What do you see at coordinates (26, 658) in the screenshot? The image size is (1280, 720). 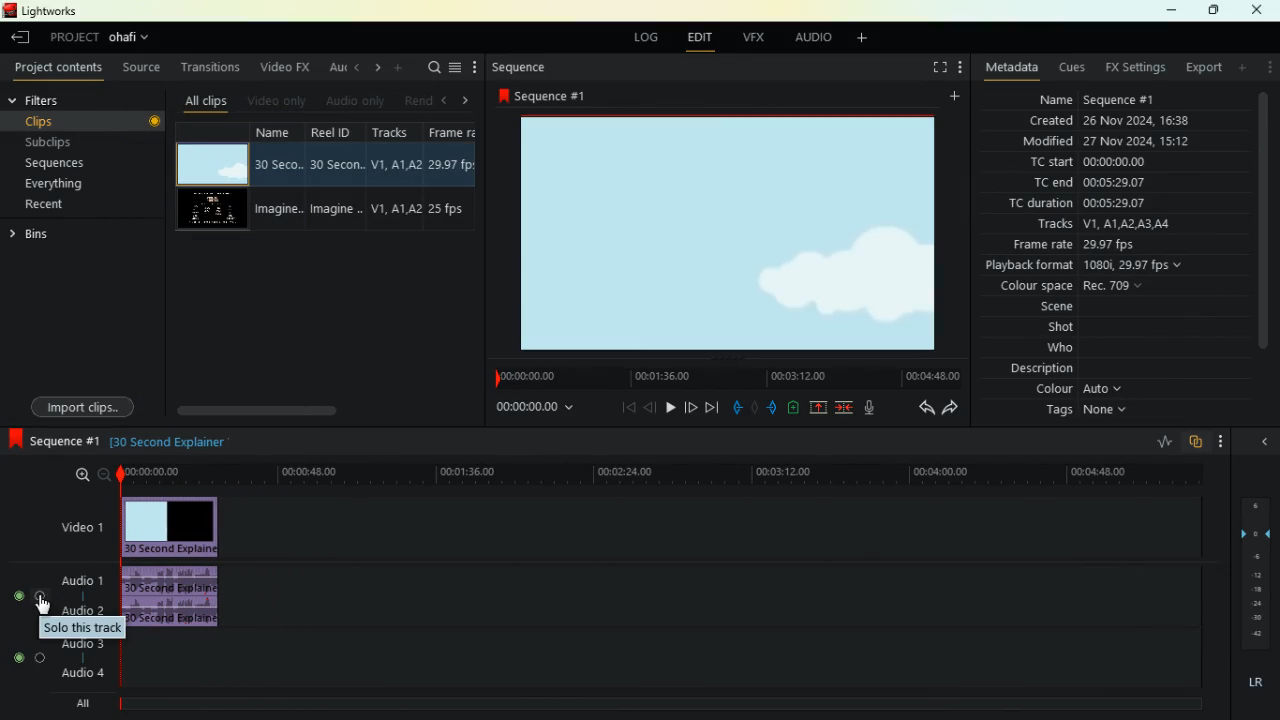 I see `on` at bounding box center [26, 658].